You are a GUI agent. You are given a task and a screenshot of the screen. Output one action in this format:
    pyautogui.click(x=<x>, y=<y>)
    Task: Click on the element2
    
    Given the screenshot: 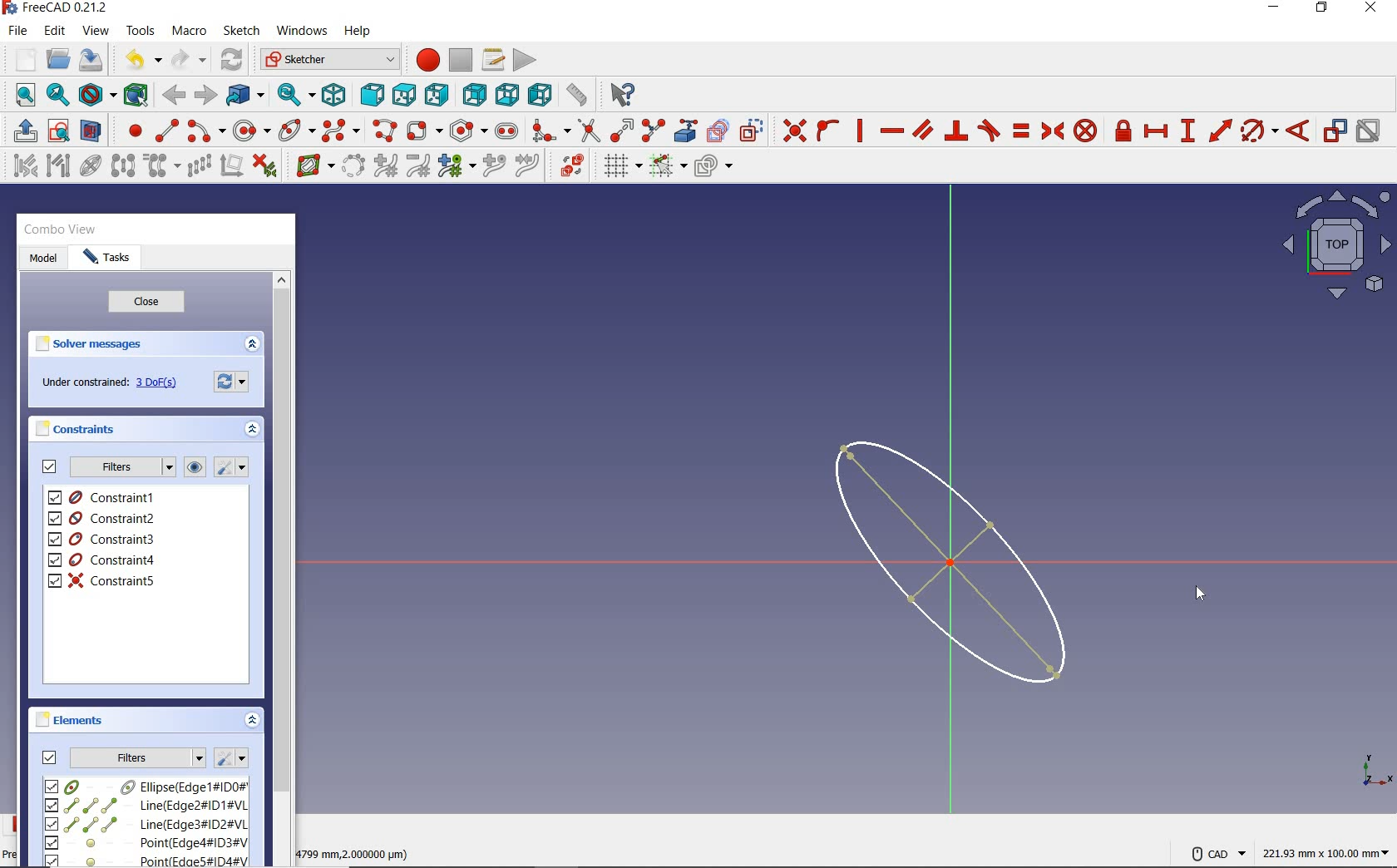 What is the action you would take?
    pyautogui.click(x=146, y=805)
    